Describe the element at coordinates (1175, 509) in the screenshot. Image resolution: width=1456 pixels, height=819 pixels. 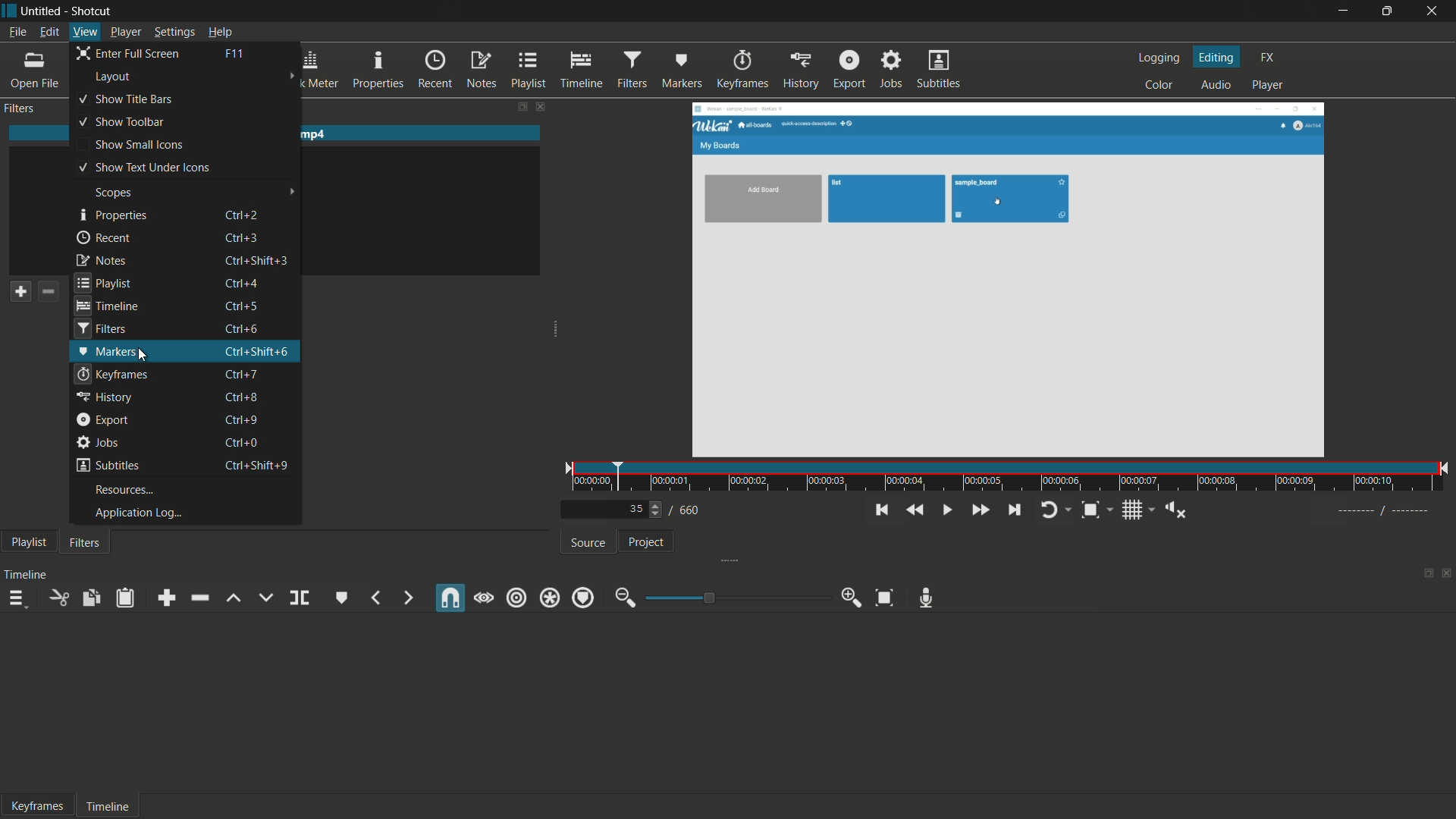
I see `show volume control` at that location.